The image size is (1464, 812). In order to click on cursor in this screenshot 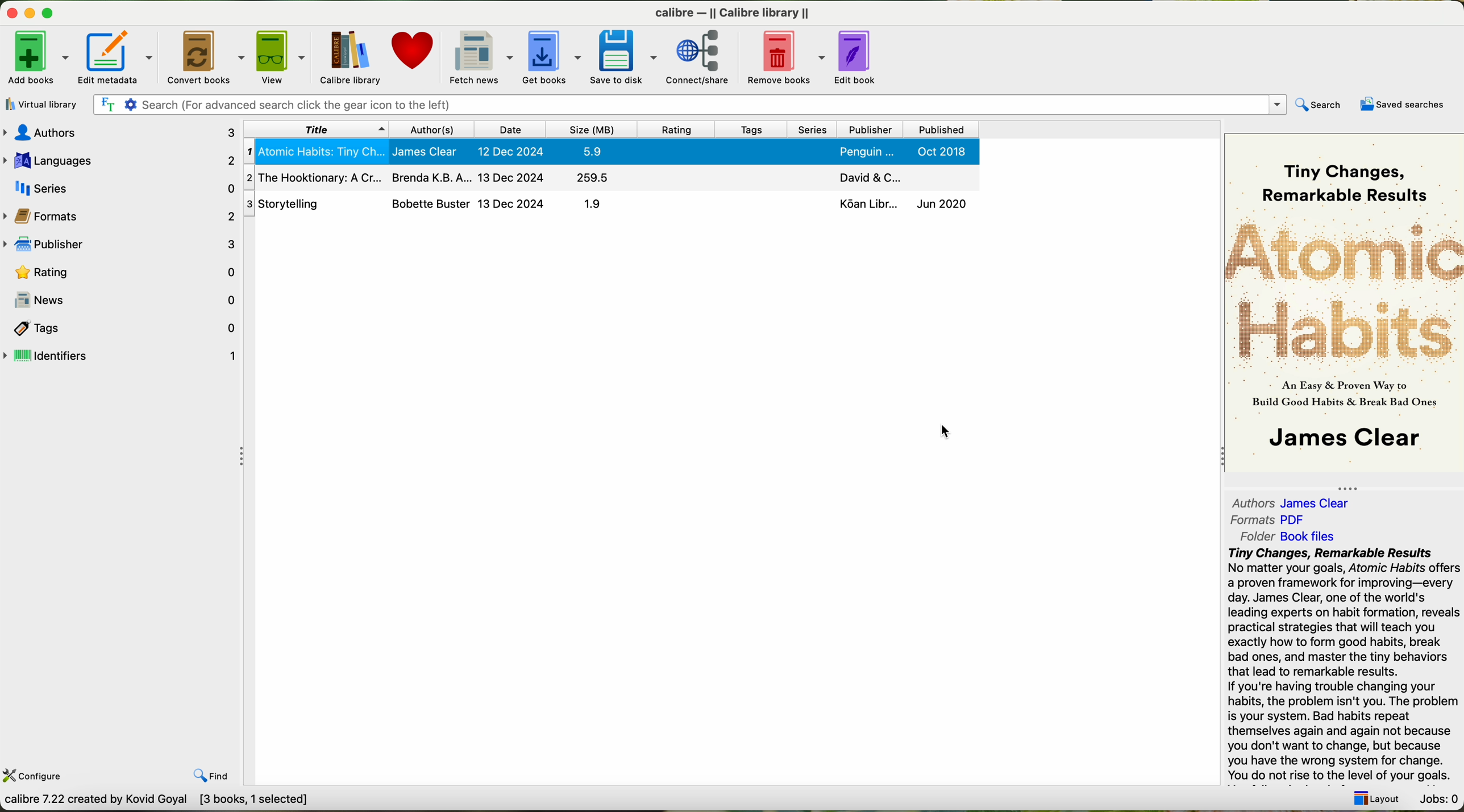, I will do `click(945, 427)`.